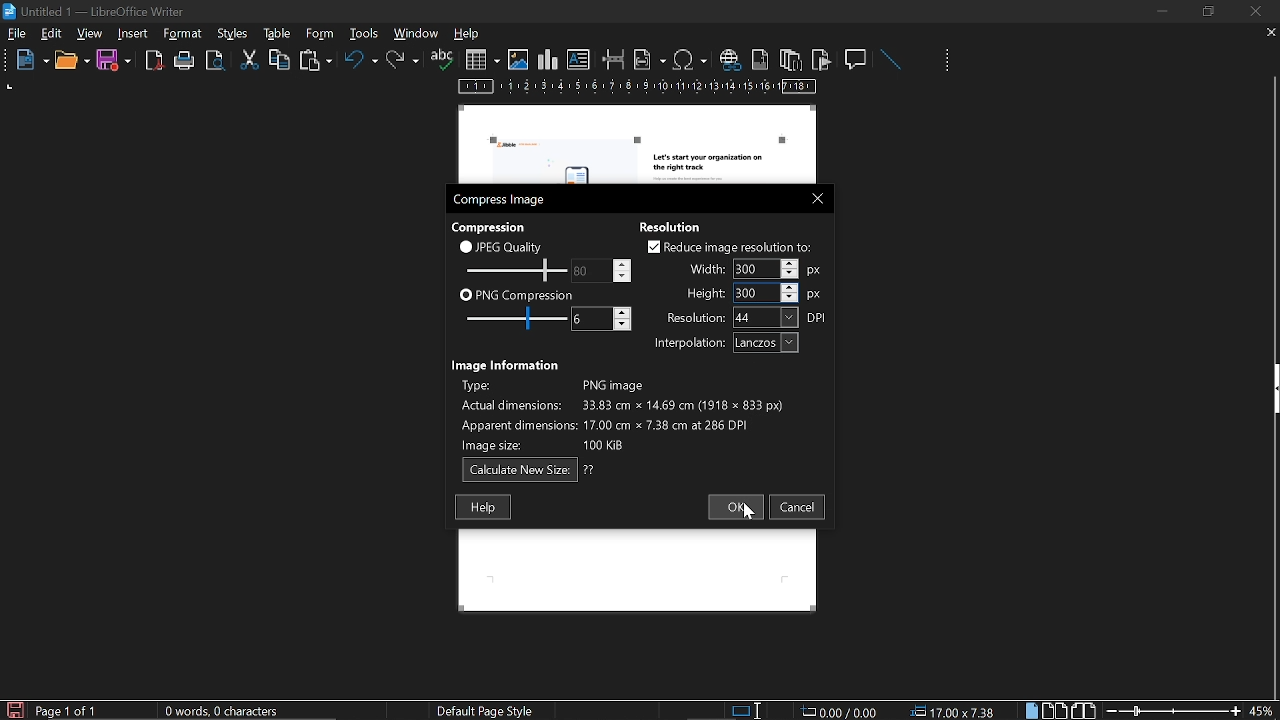 This screenshot has width=1280, height=720. Describe the element at coordinates (638, 88) in the screenshot. I see `scale` at that location.